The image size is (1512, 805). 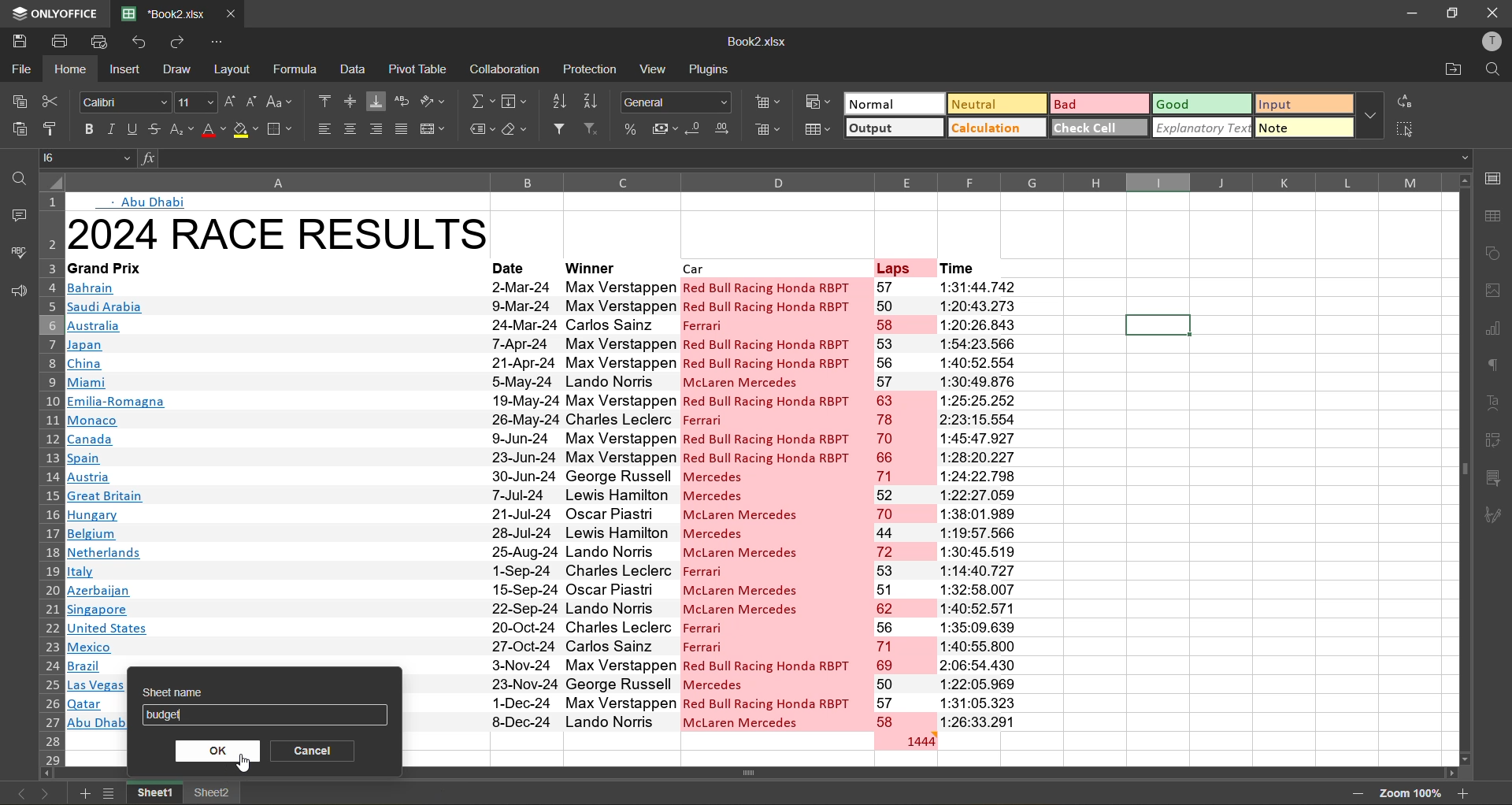 I want to click on sheet names, so click(x=152, y=793).